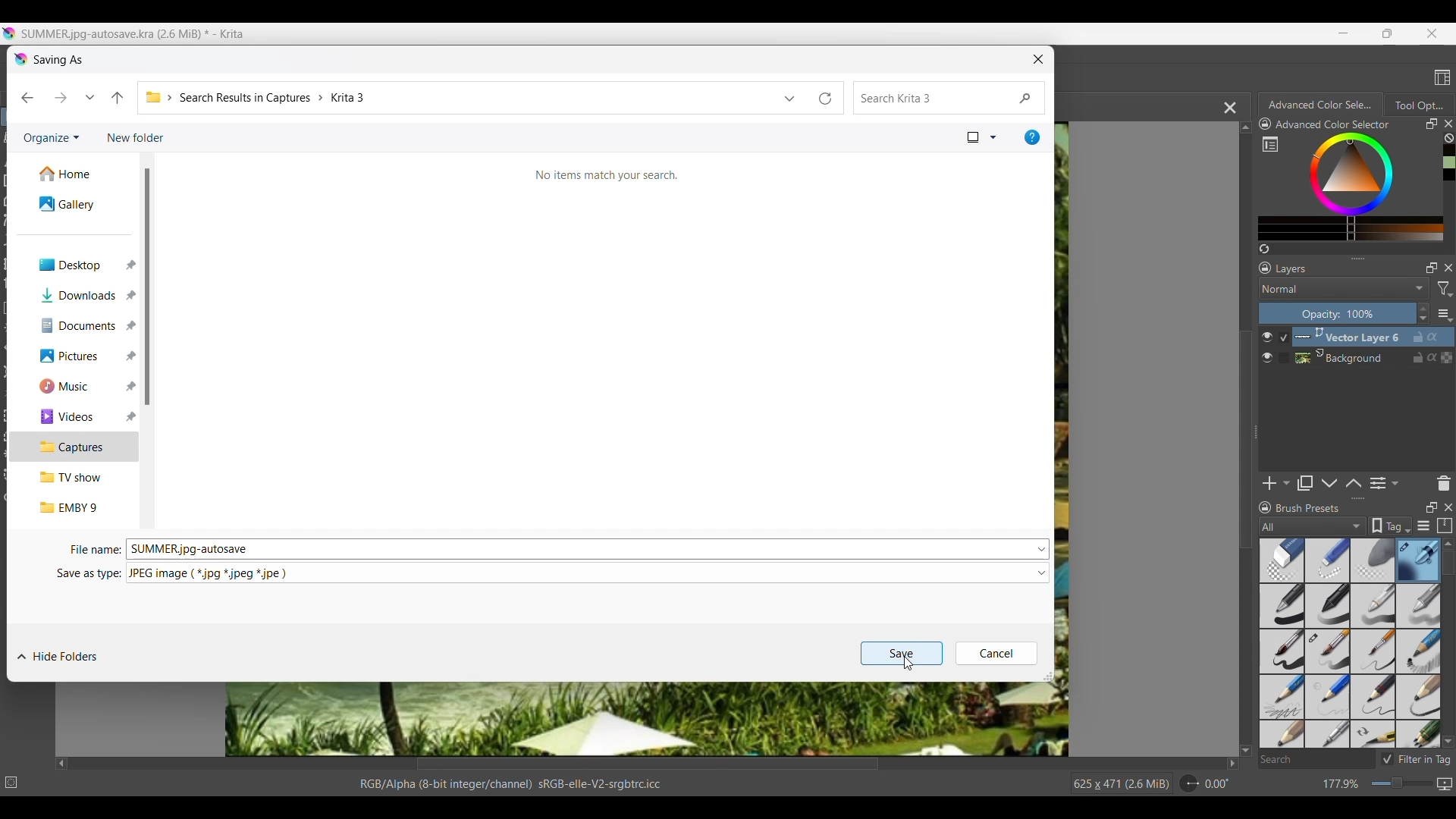 This screenshot has height=819, width=1456. I want to click on Slider to change zoom, so click(1401, 783).